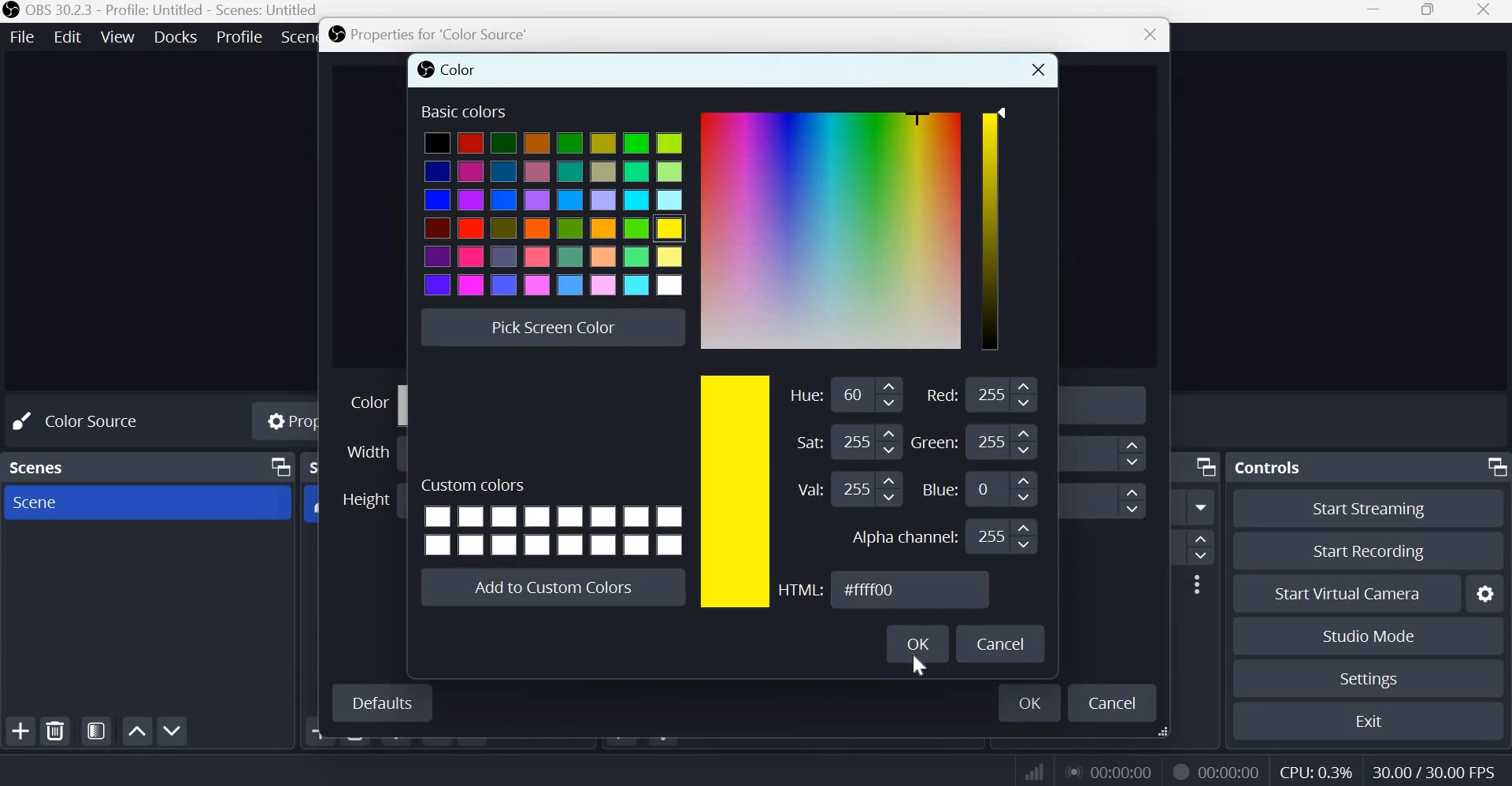 This screenshot has width=1512, height=786. Describe the element at coordinates (276, 468) in the screenshot. I see `Dock Options icon` at that location.